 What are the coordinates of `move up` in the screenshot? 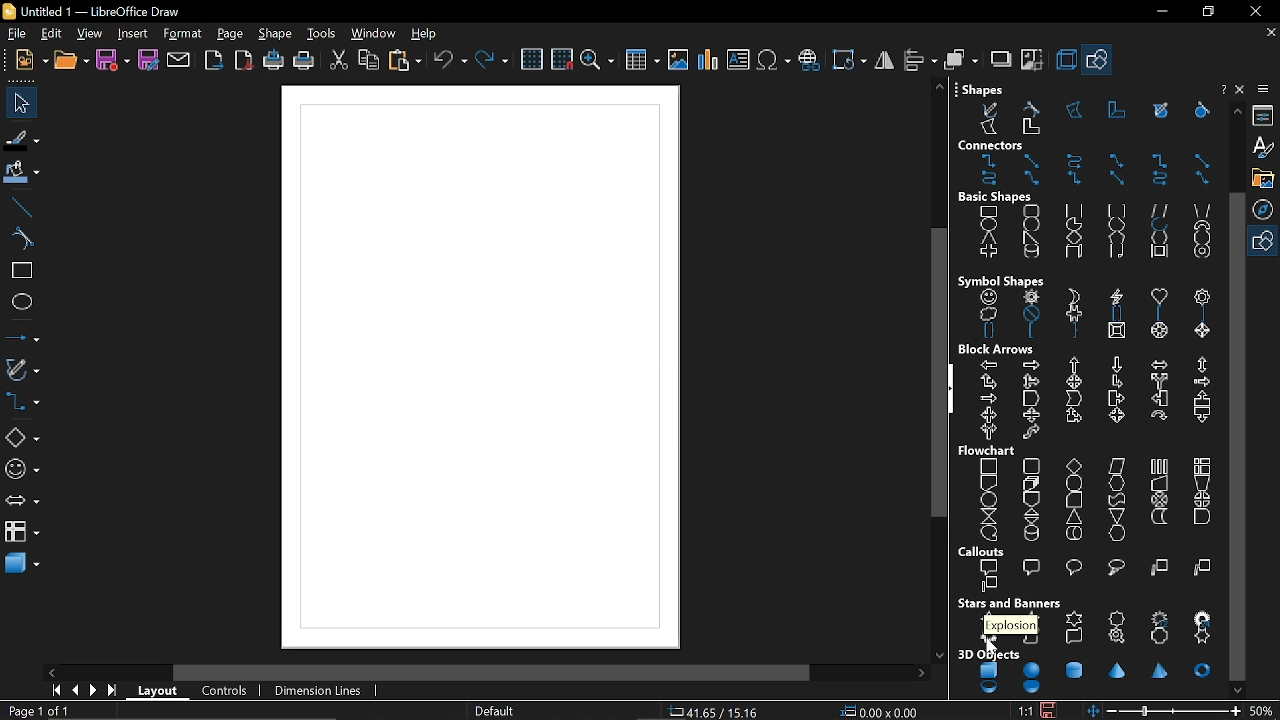 It's located at (1234, 111).